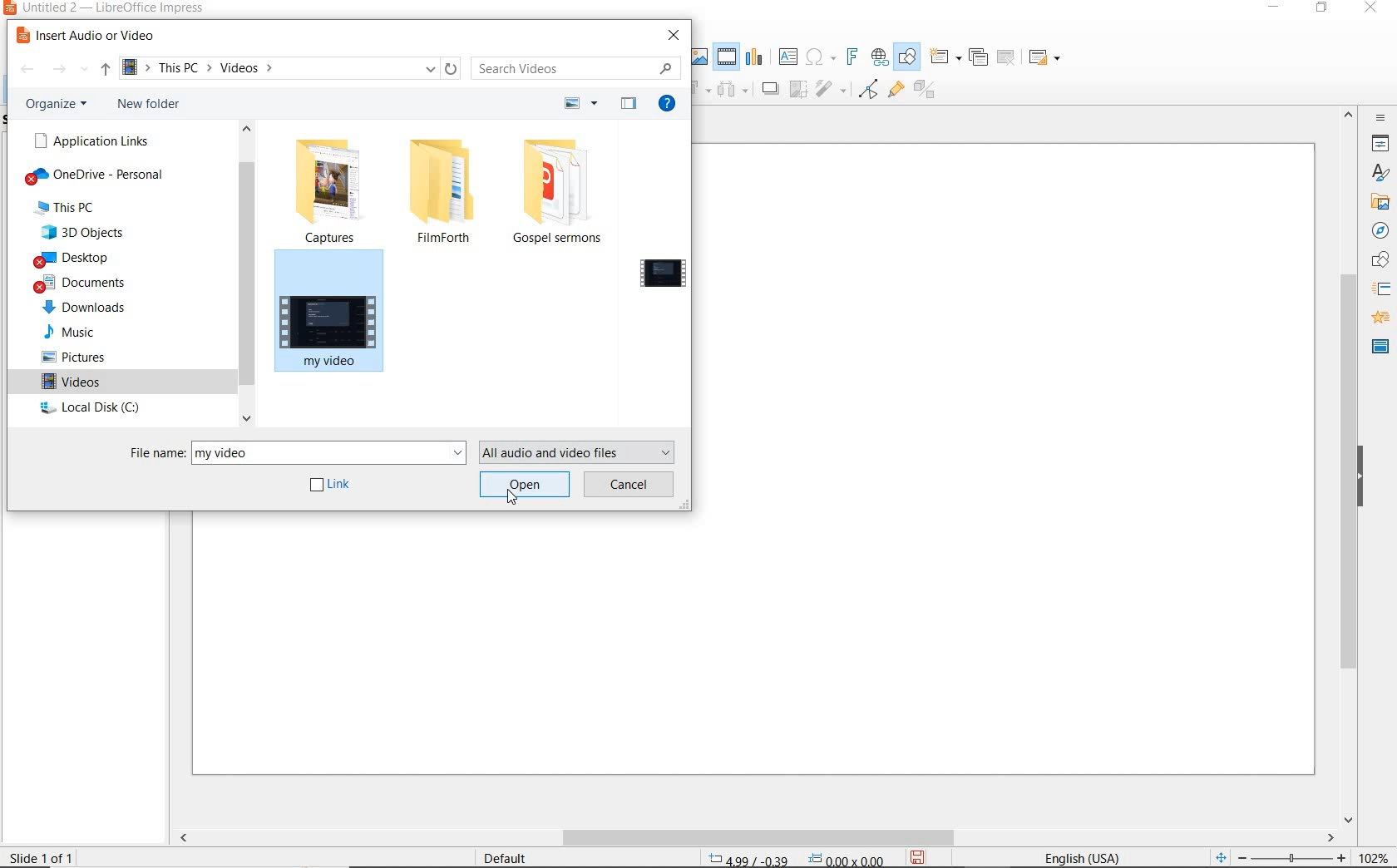 The width and height of the screenshot is (1397, 868). Describe the element at coordinates (1007, 58) in the screenshot. I see `DELETE SLIDE` at that location.